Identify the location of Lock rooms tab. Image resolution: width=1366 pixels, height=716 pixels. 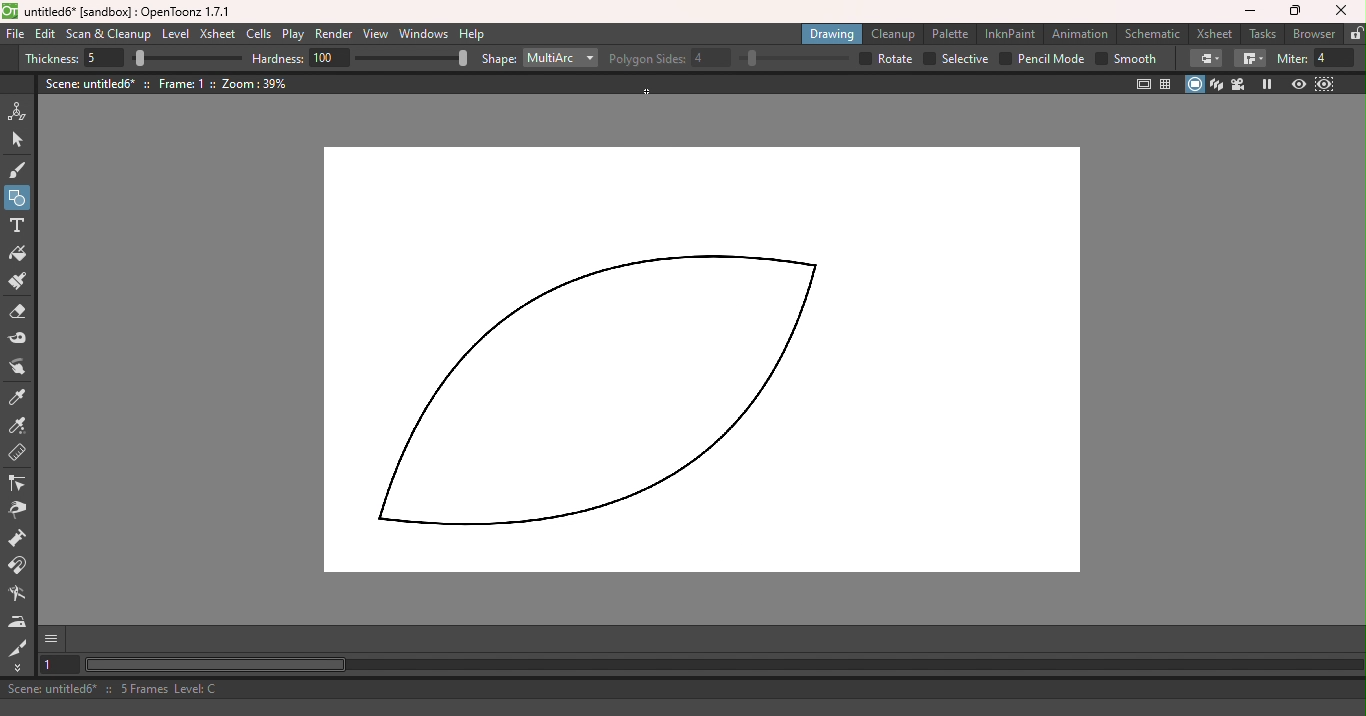
(1355, 33).